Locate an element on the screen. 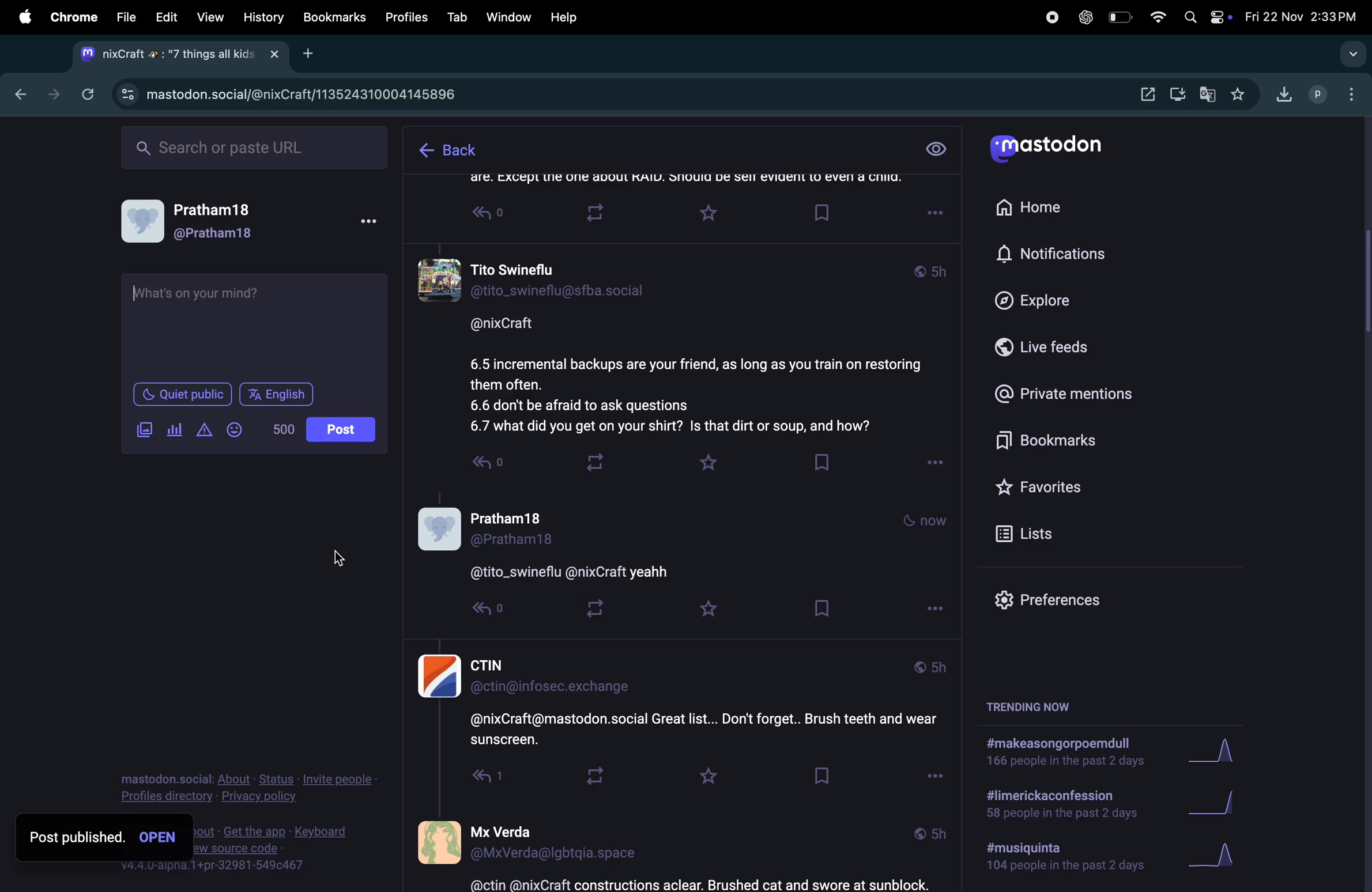  edit is located at coordinates (166, 17).